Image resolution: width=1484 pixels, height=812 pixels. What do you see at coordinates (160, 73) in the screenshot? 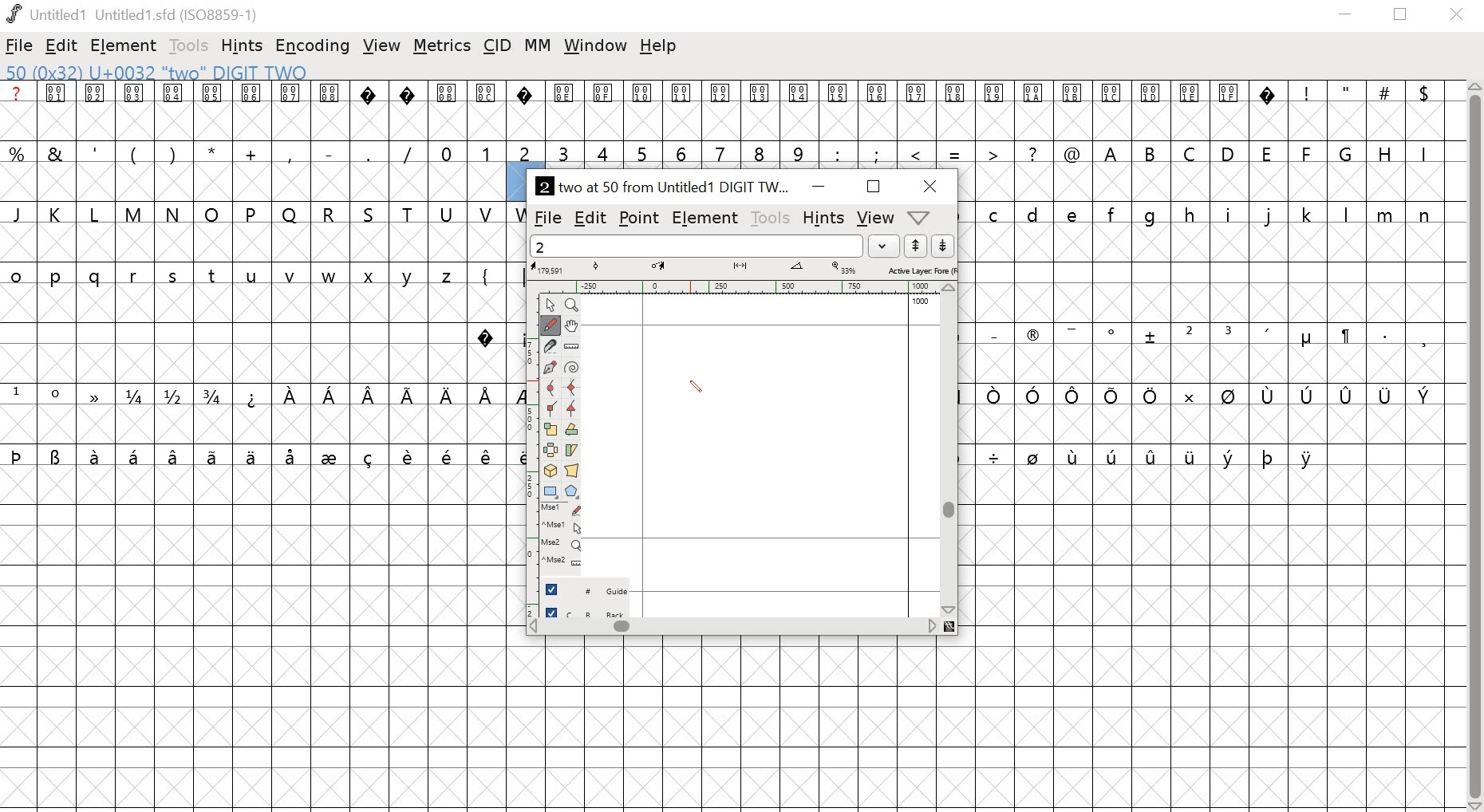
I see `50 (0x32) U+0032 "two" DIGIT TWO` at bounding box center [160, 73].